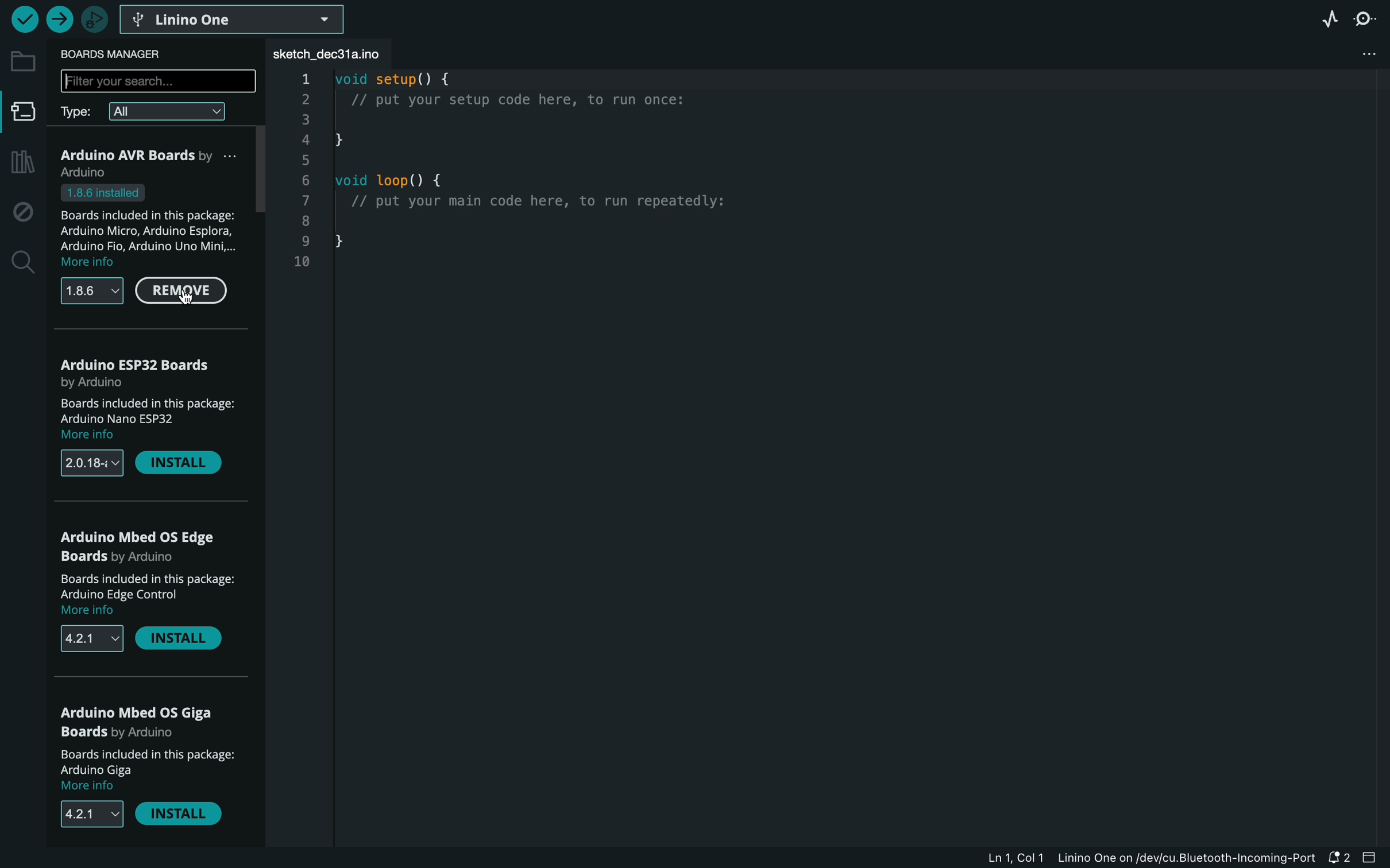 This screenshot has width=1390, height=868. Describe the element at coordinates (90, 789) in the screenshot. I see `more info` at that location.